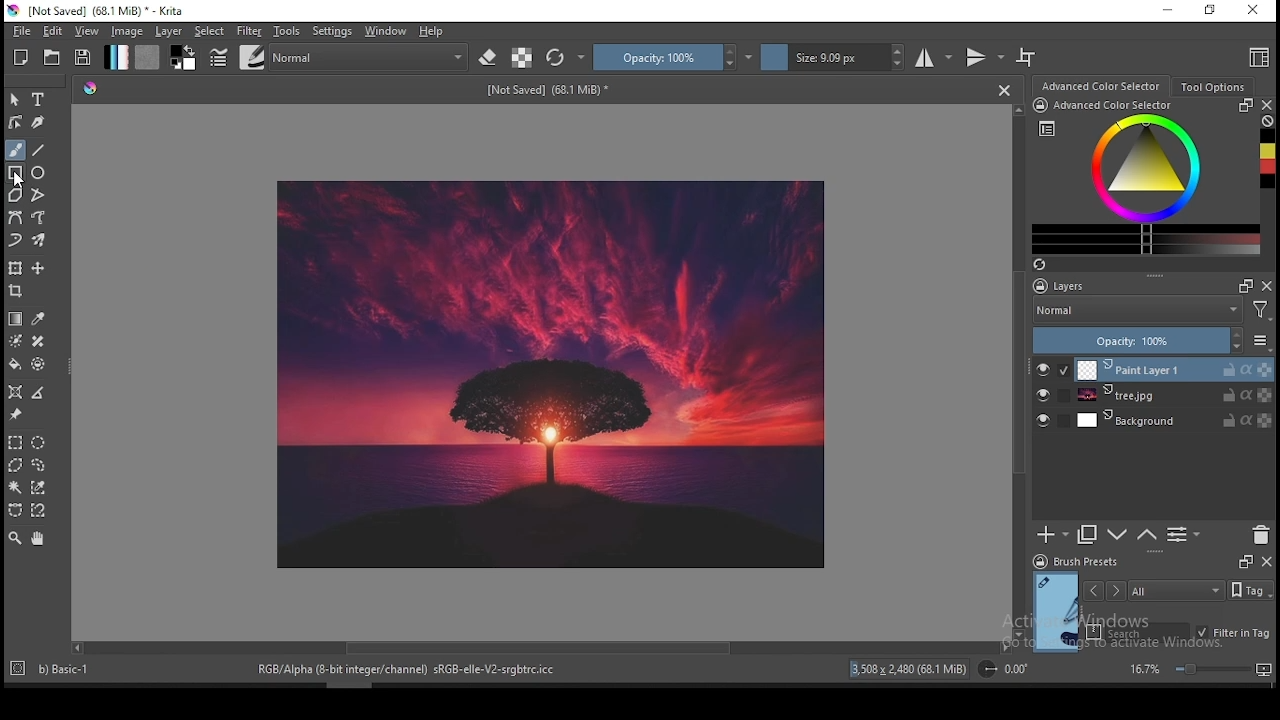  Describe the element at coordinates (1004, 90) in the screenshot. I see `Close` at that location.